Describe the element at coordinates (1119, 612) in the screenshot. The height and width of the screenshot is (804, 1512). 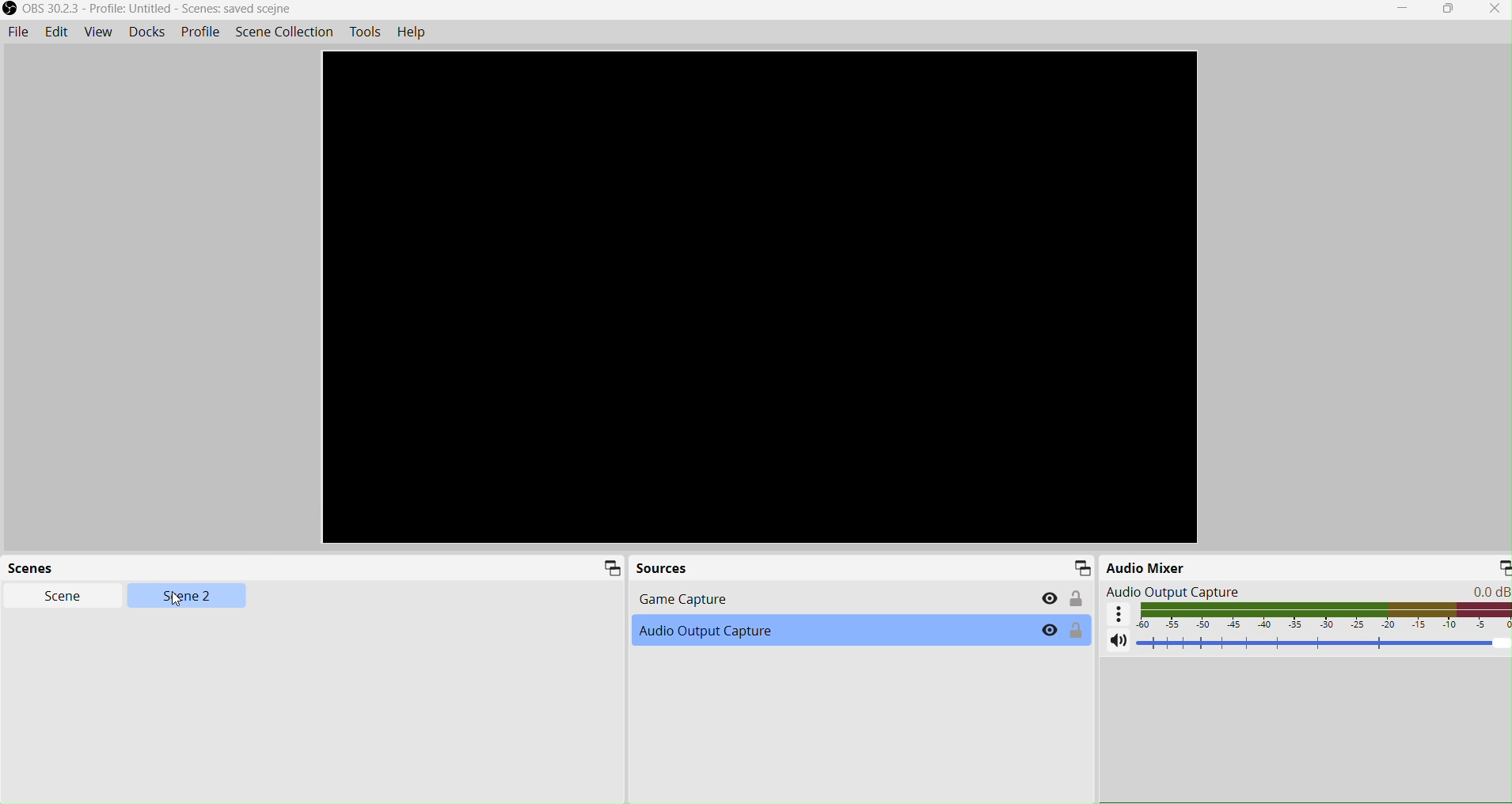
I see `Advance audio setting` at that location.